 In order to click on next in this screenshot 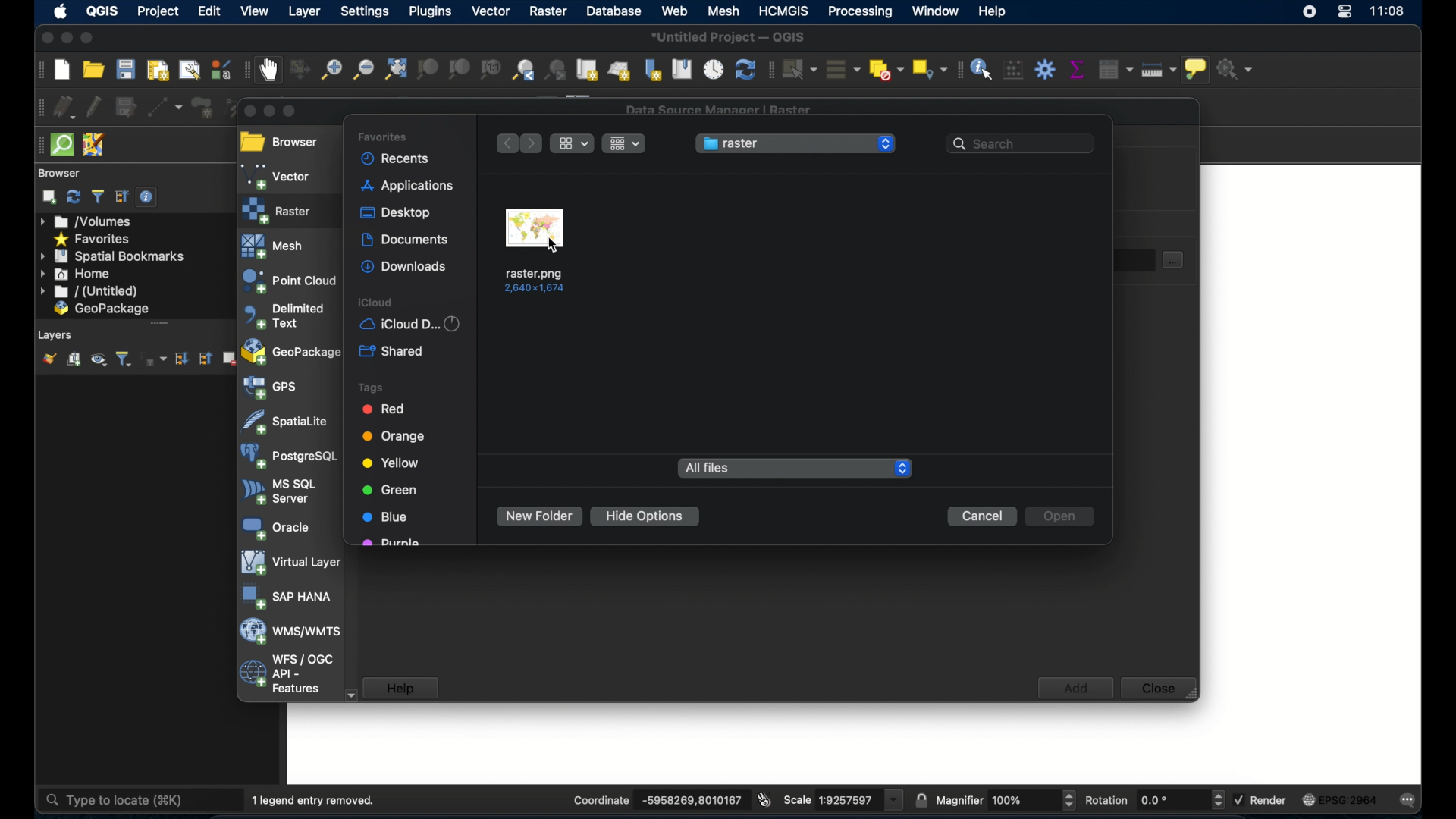, I will do `click(534, 143)`.